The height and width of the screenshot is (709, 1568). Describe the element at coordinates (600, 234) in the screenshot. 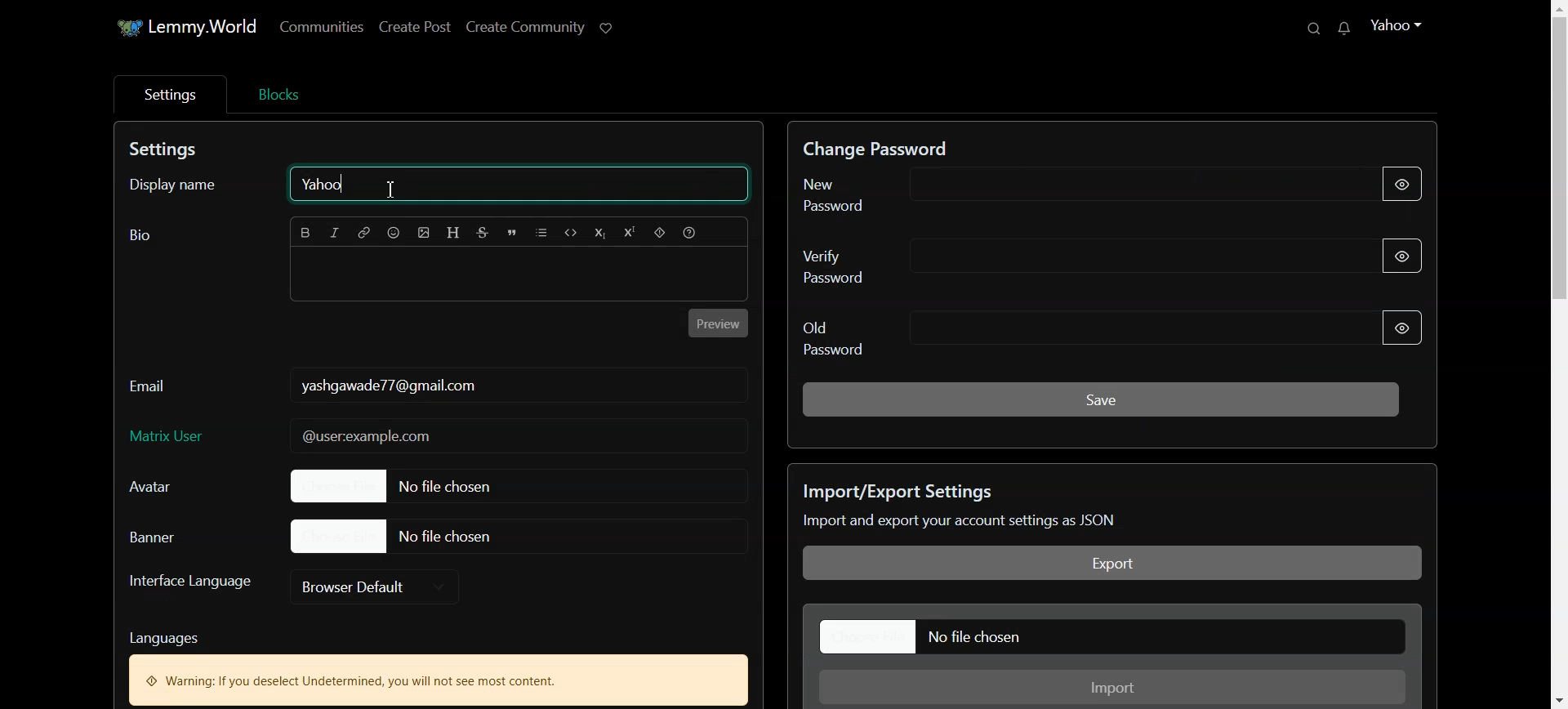

I see `Subscript` at that location.